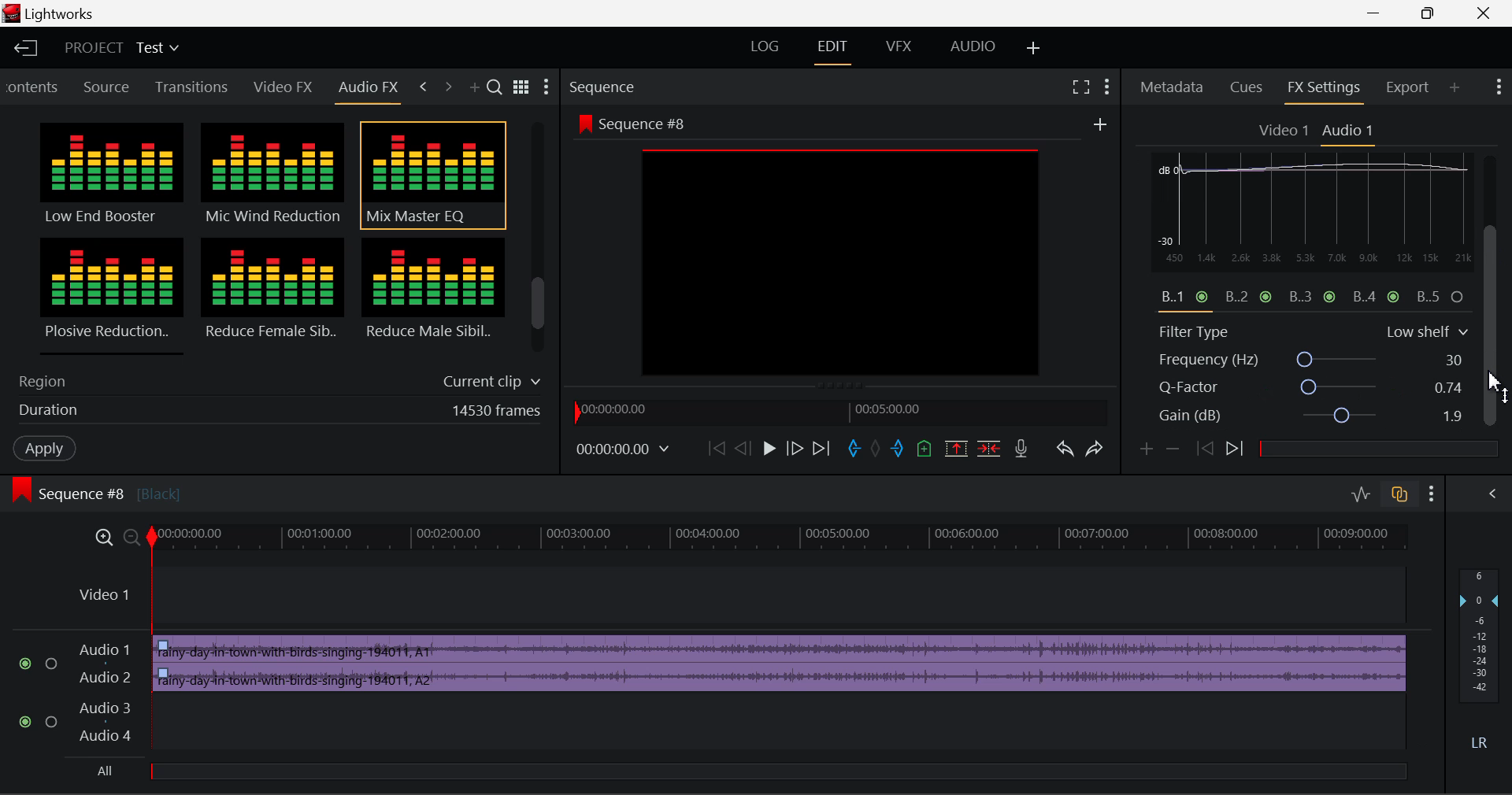 Image resolution: width=1512 pixels, height=795 pixels. I want to click on FX Settings Open, so click(1325, 91).